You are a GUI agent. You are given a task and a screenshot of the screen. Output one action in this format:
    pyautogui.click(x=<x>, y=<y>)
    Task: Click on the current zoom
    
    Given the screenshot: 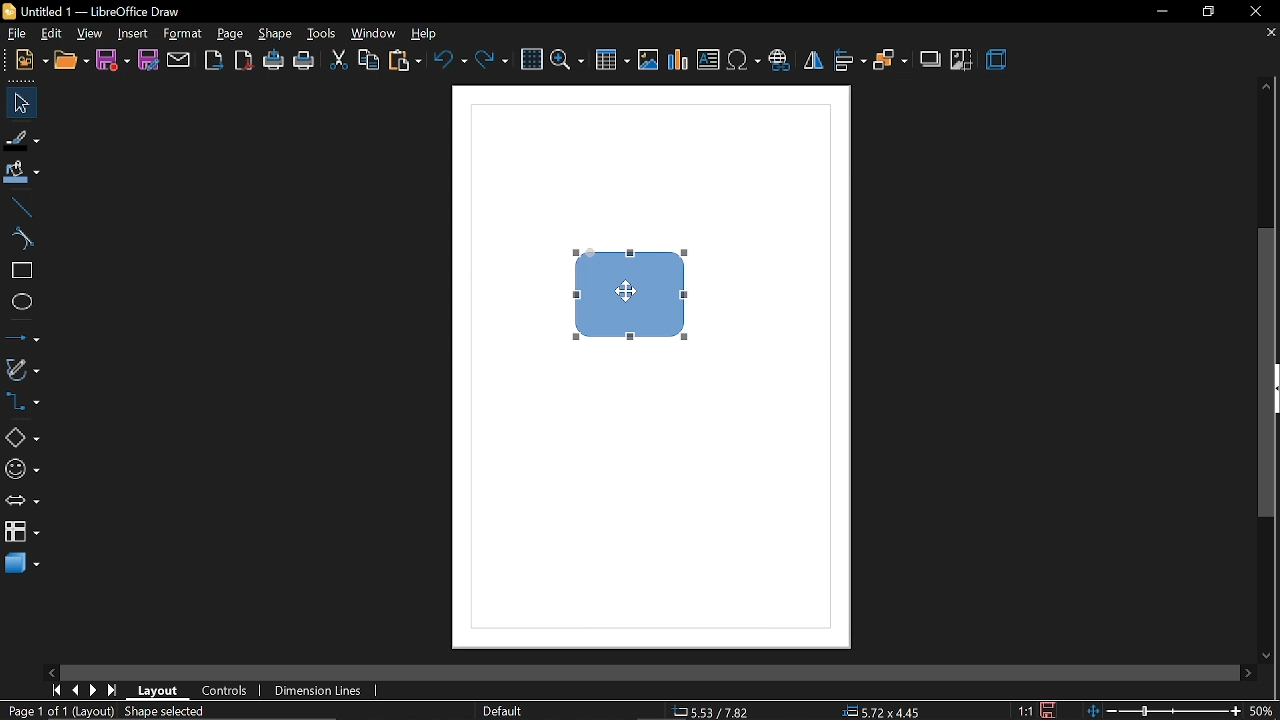 What is the action you would take?
    pyautogui.click(x=1265, y=712)
    